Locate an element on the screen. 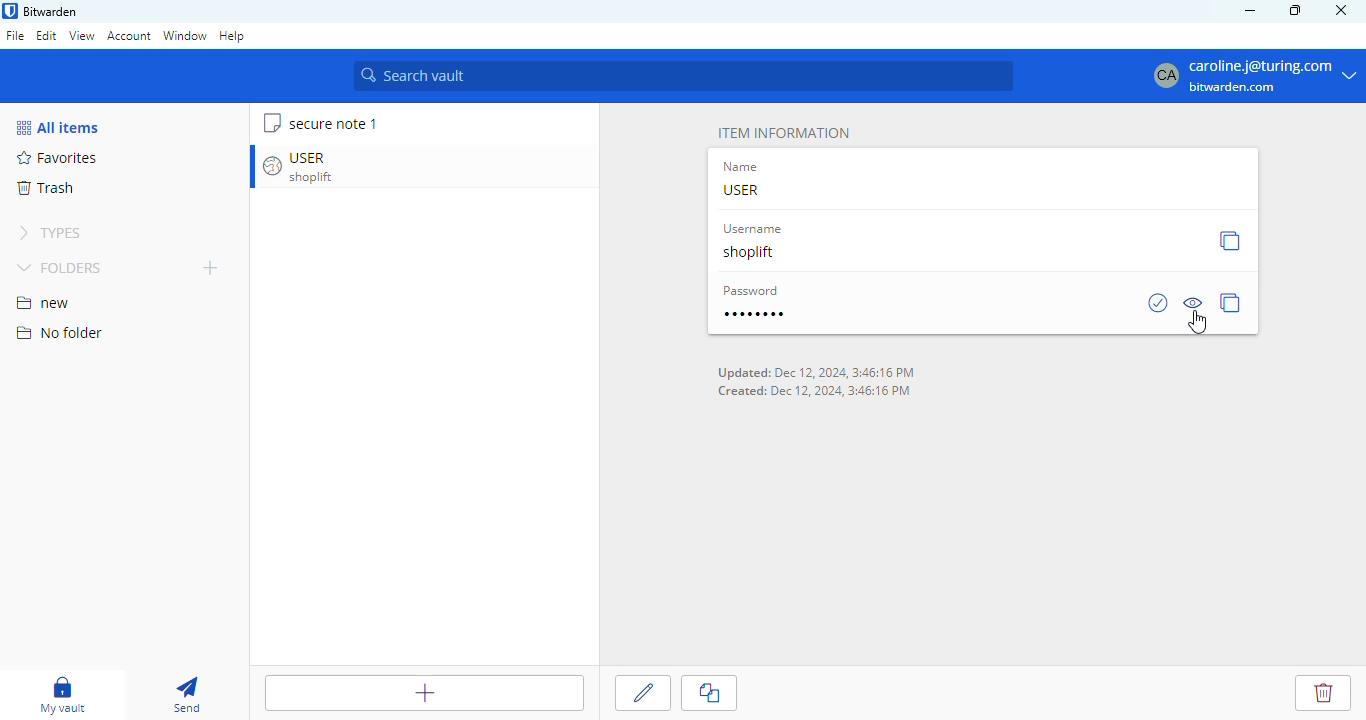 The width and height of the screenshot is (1366, 720). item information is located at coordinates (783, 133).